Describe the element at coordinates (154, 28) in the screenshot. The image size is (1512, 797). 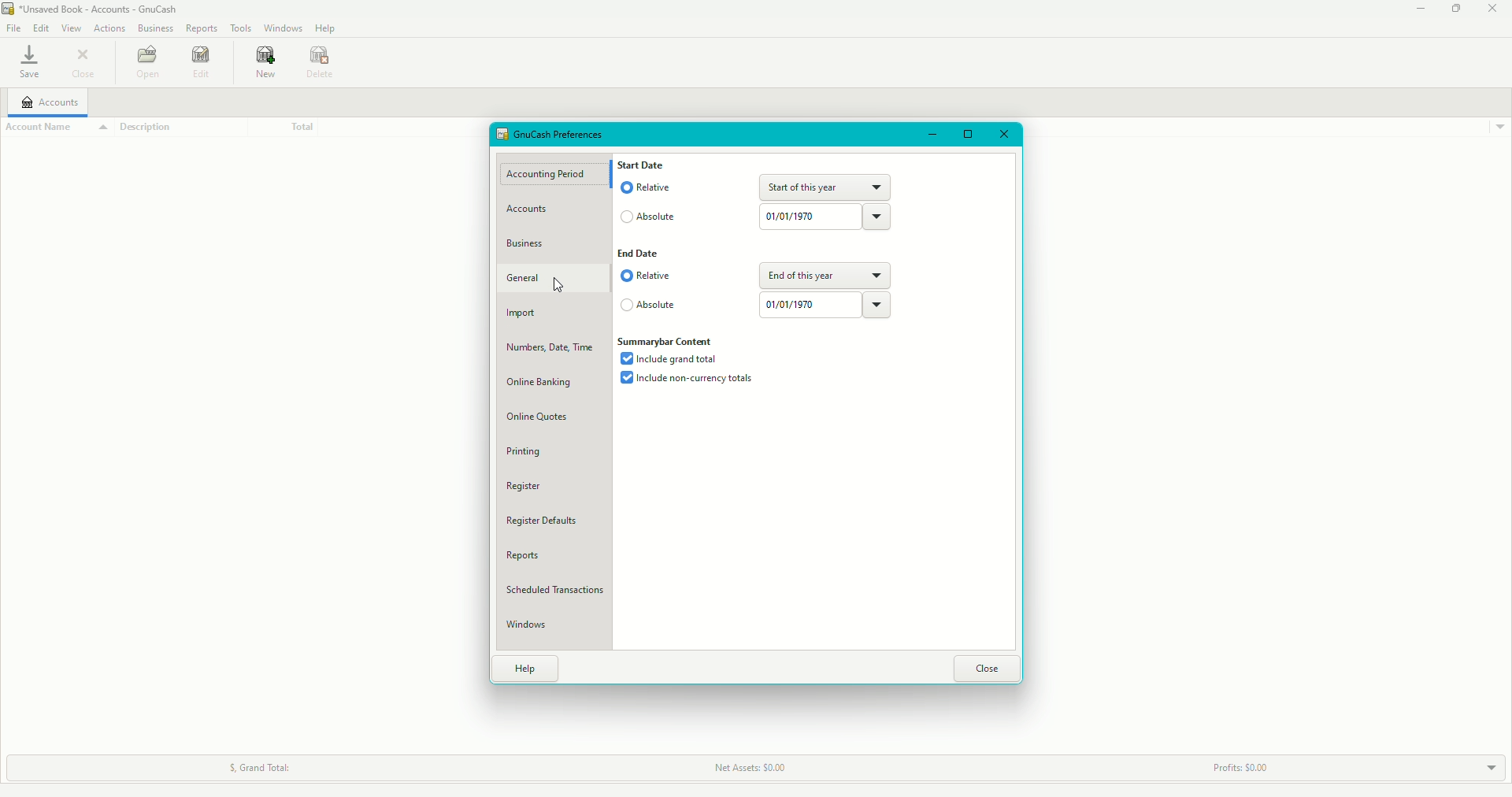
I see `Business` at that location.